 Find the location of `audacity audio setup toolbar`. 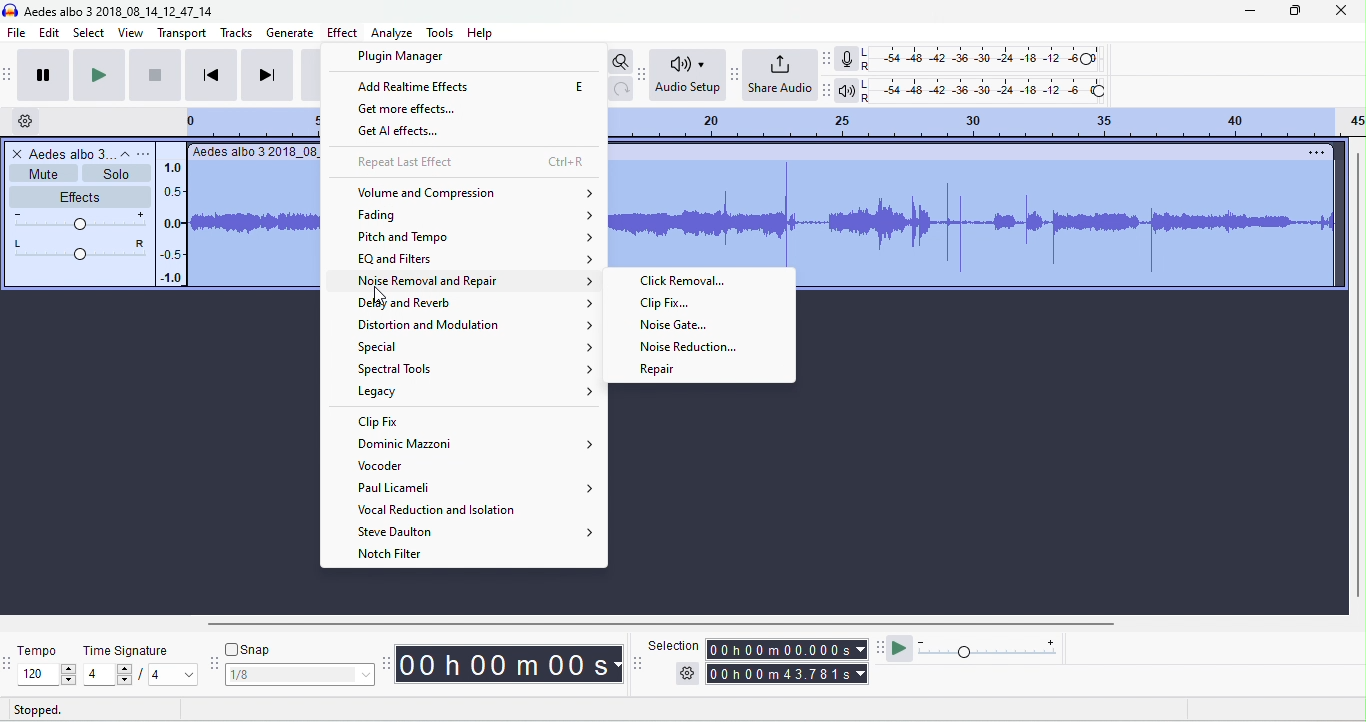

audacity audio setup toolbar is located at coordinates (642, 76).